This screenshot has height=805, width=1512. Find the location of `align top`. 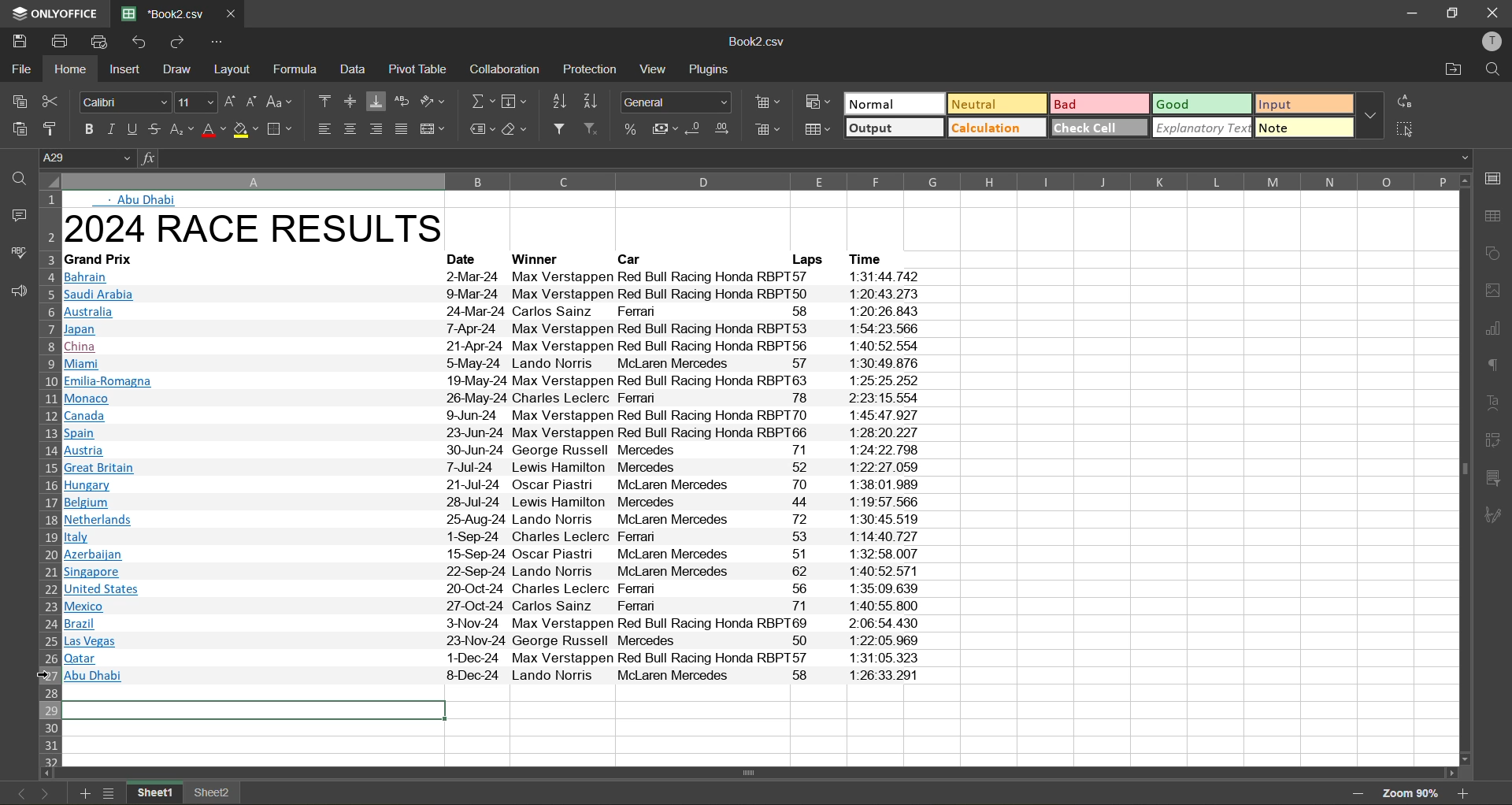

align top is located at coordinates (325, 103).